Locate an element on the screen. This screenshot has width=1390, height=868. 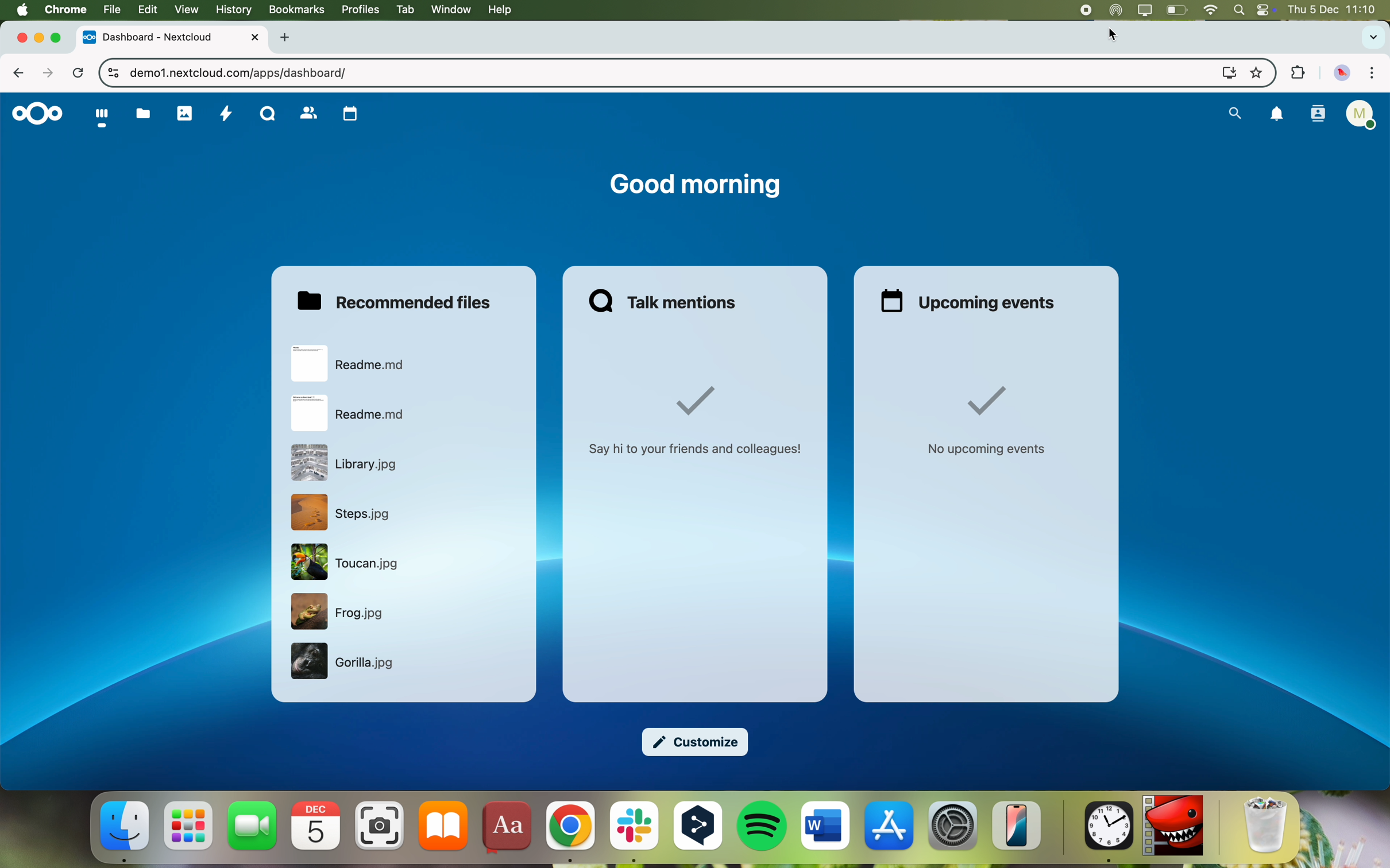
file is located at coordinates (346, 663).